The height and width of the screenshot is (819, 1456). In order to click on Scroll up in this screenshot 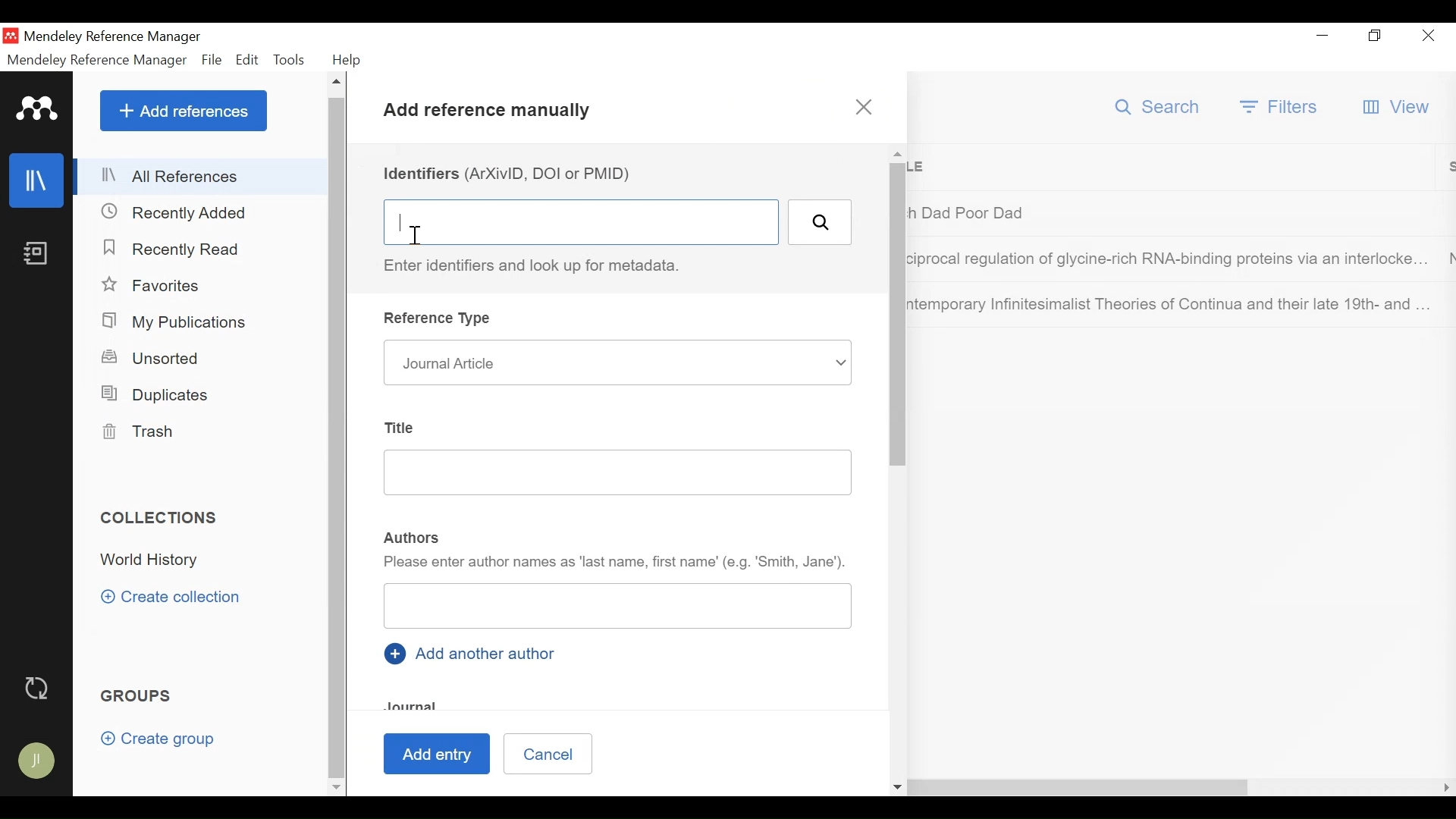, I will do `click(338, 83)`.